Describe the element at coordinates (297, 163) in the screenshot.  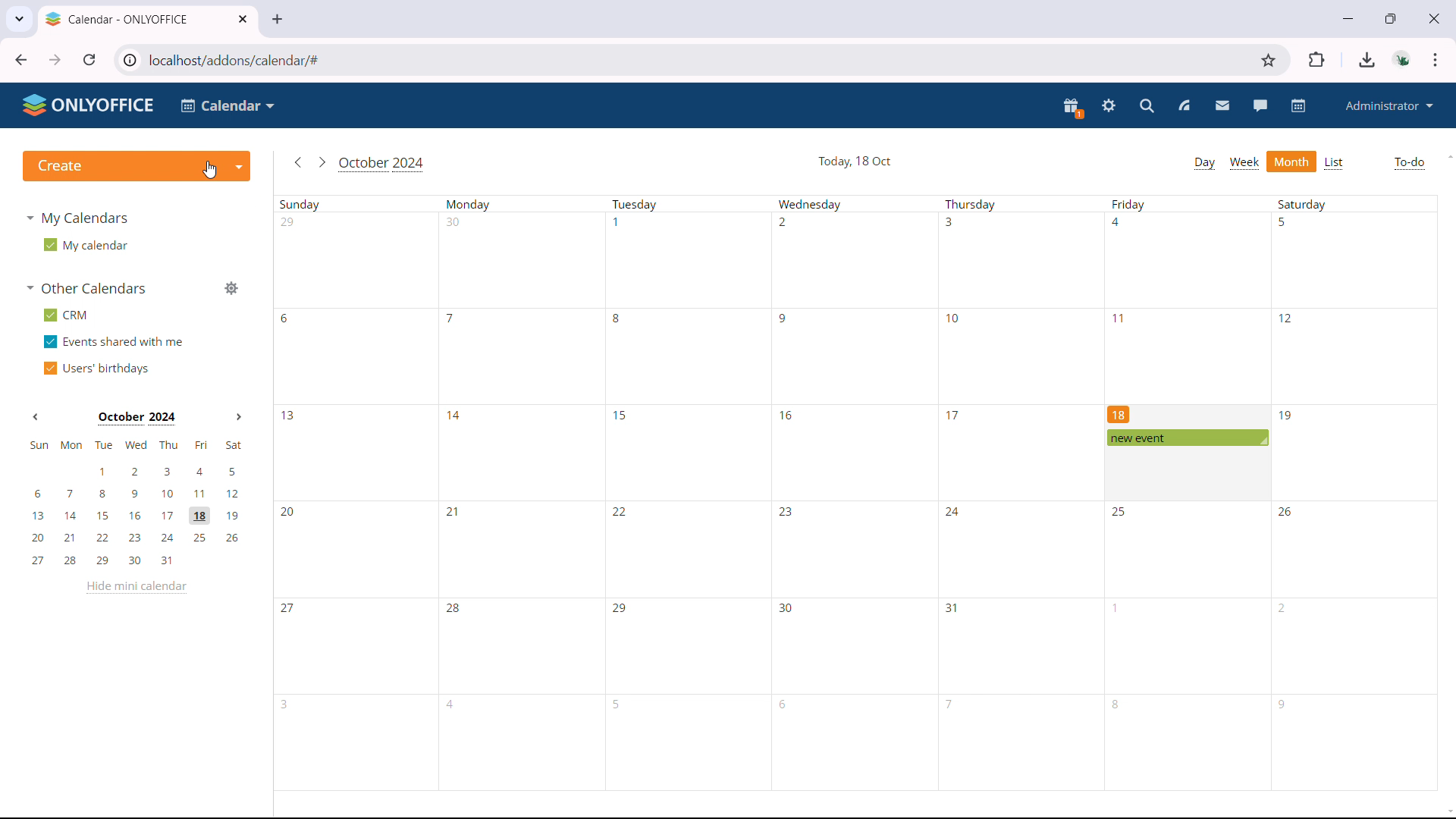
I see `go to previous month` at that location.